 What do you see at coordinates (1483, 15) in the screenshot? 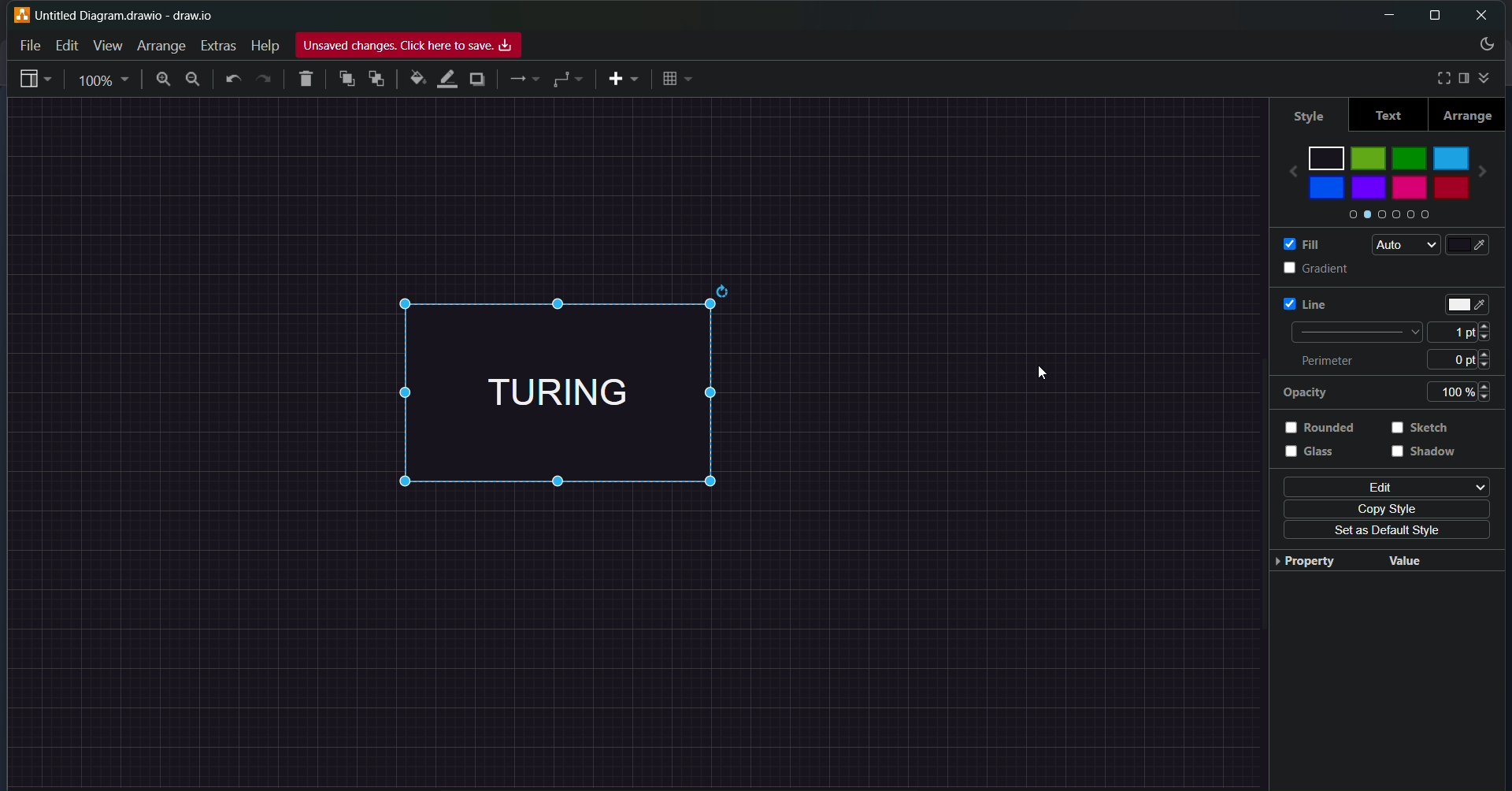
I see `close` at bounding box center [1483, 15].